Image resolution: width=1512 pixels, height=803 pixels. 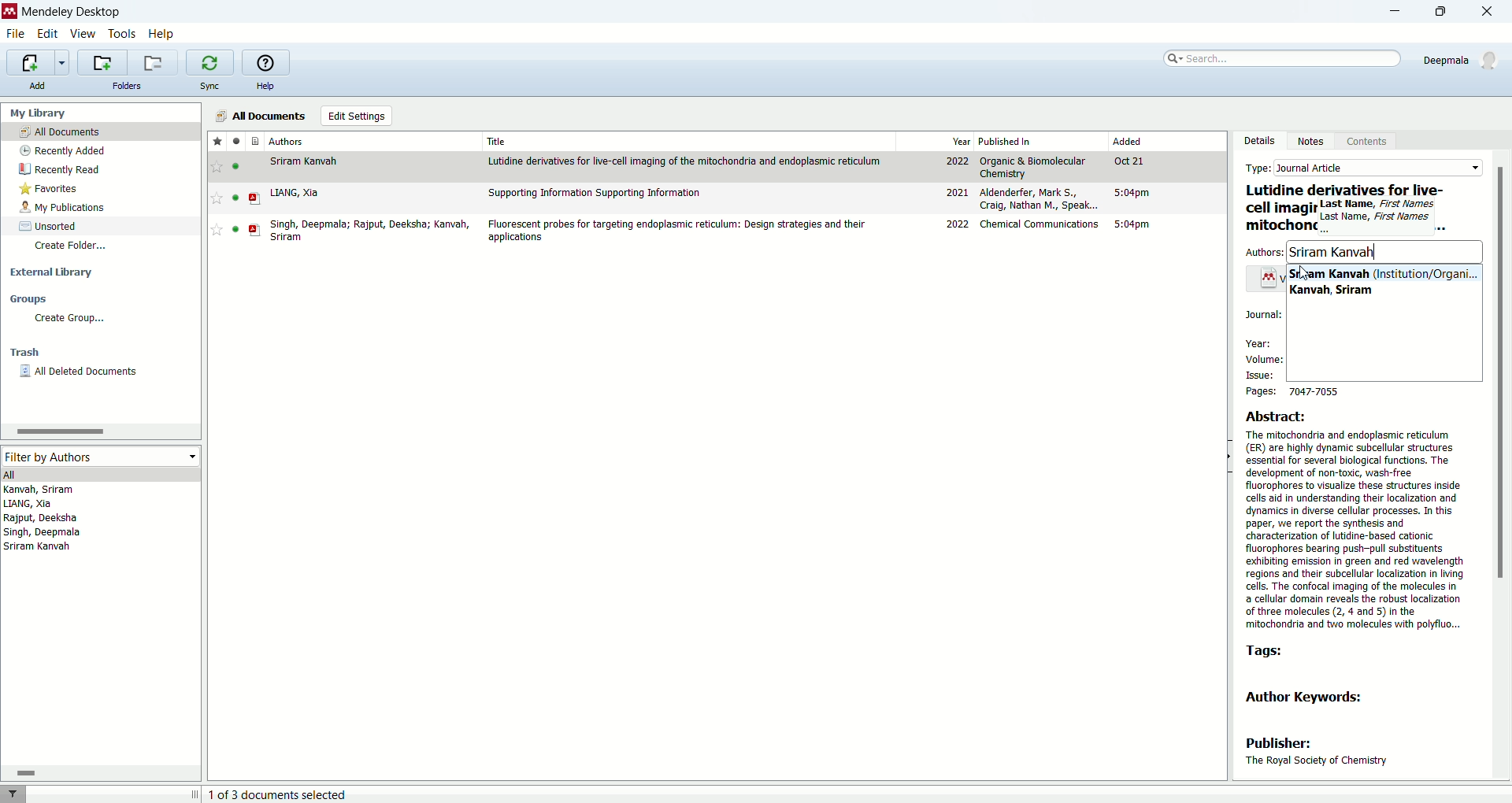 I want to click on create folder, so click(x=72, y=247).